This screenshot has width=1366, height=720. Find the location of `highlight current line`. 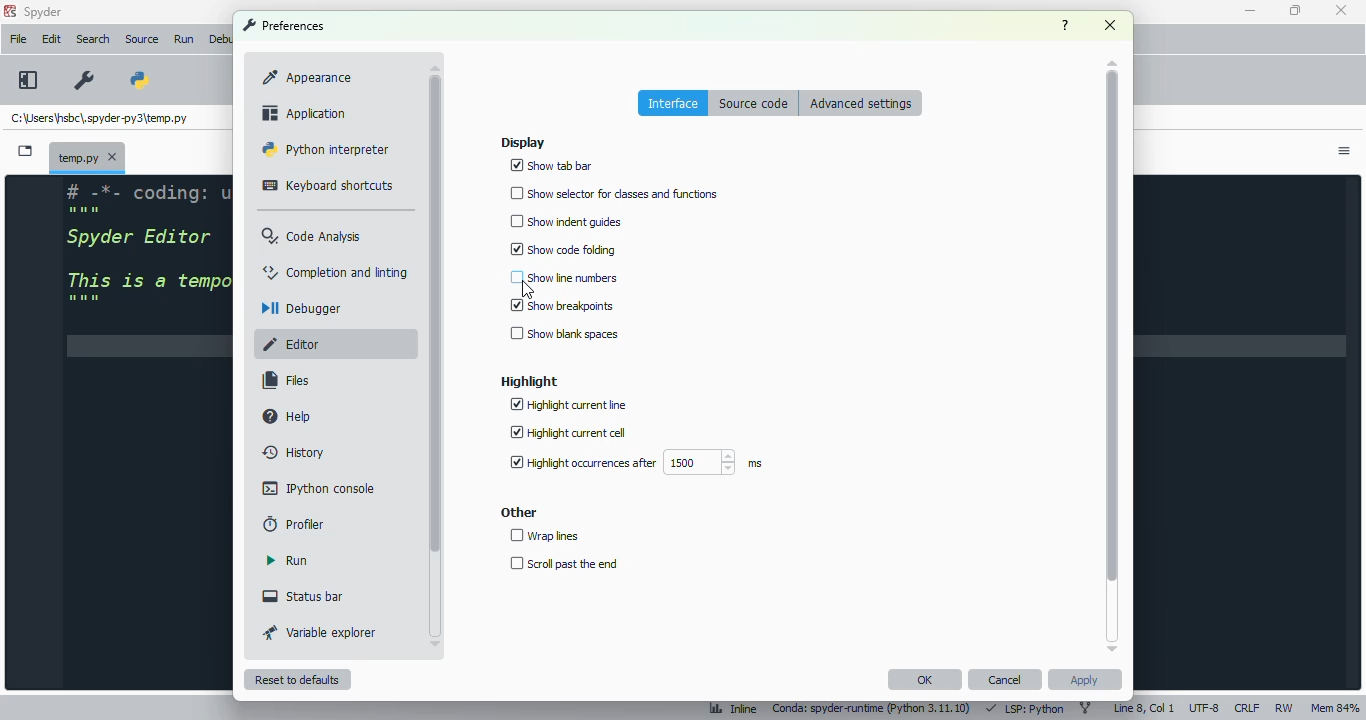

highlight current line is located at coordinates (569, 405).